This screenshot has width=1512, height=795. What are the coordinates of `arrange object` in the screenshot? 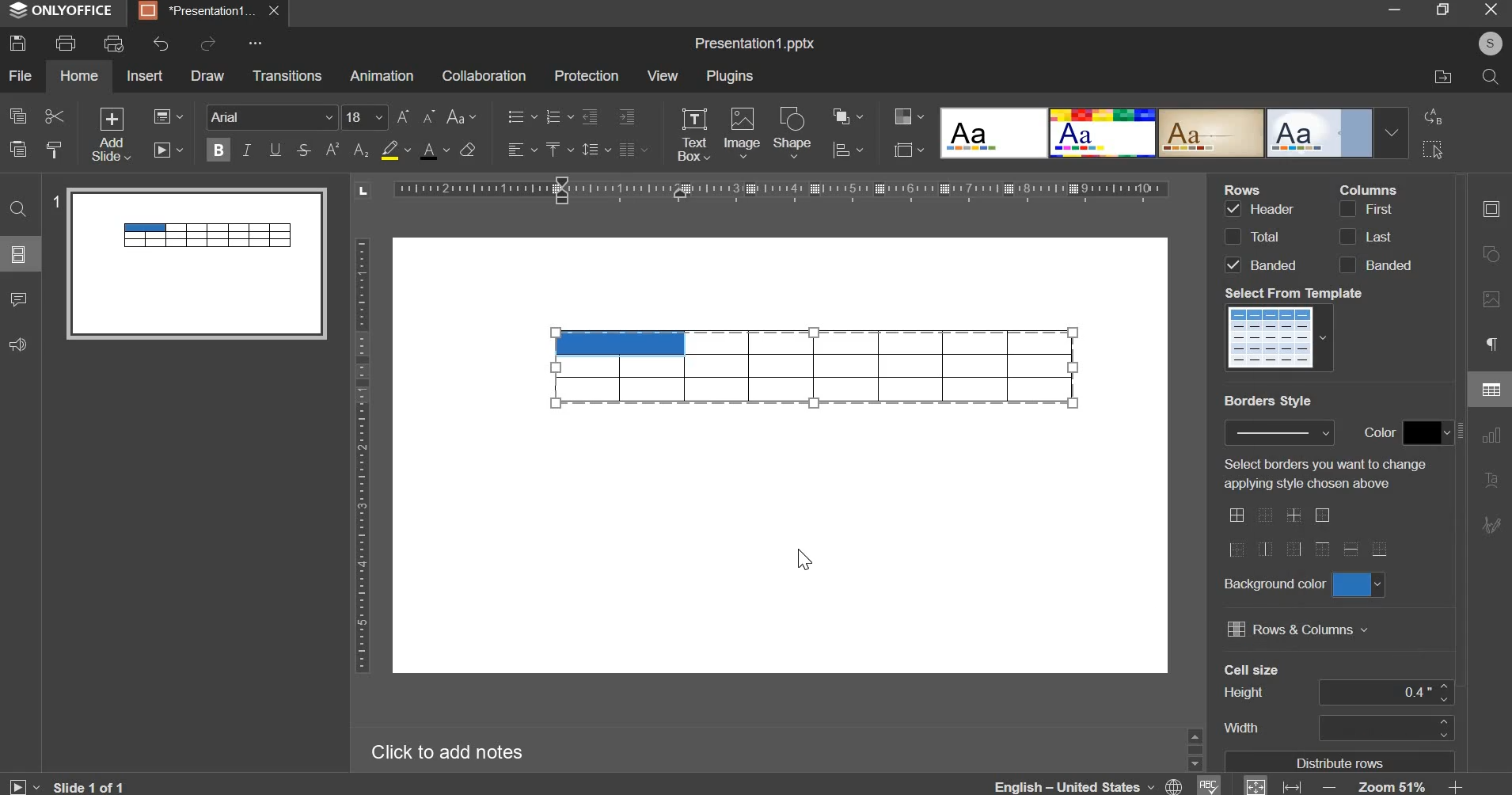 It's located at (847, 116).